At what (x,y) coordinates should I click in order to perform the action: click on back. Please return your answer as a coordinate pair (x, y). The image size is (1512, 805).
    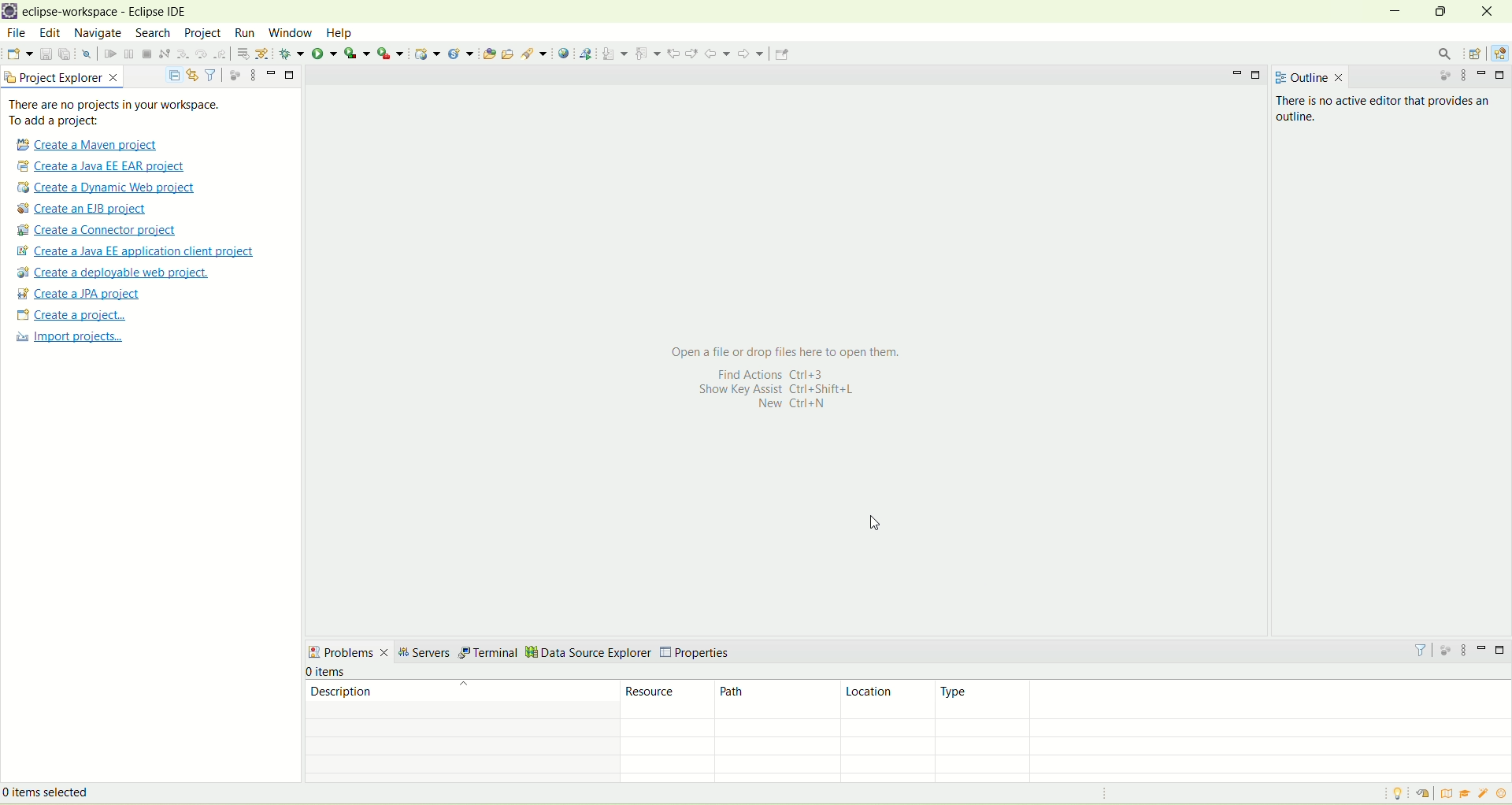
    Looking at the image, I should click on (779, 54).